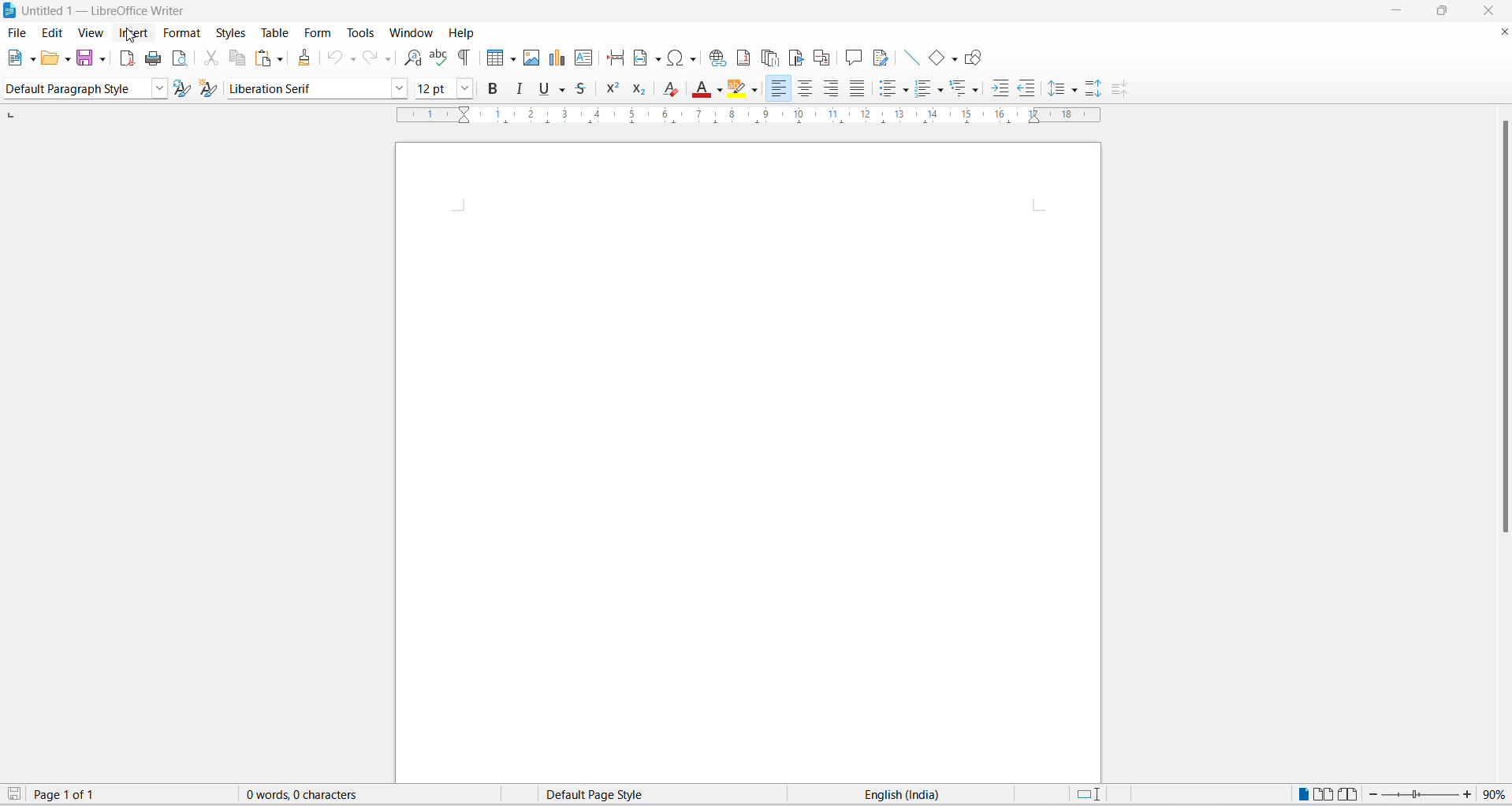  Describe the element at coordinates (906, 91) in the screenshot. I see `toggle unordered list` at that location.